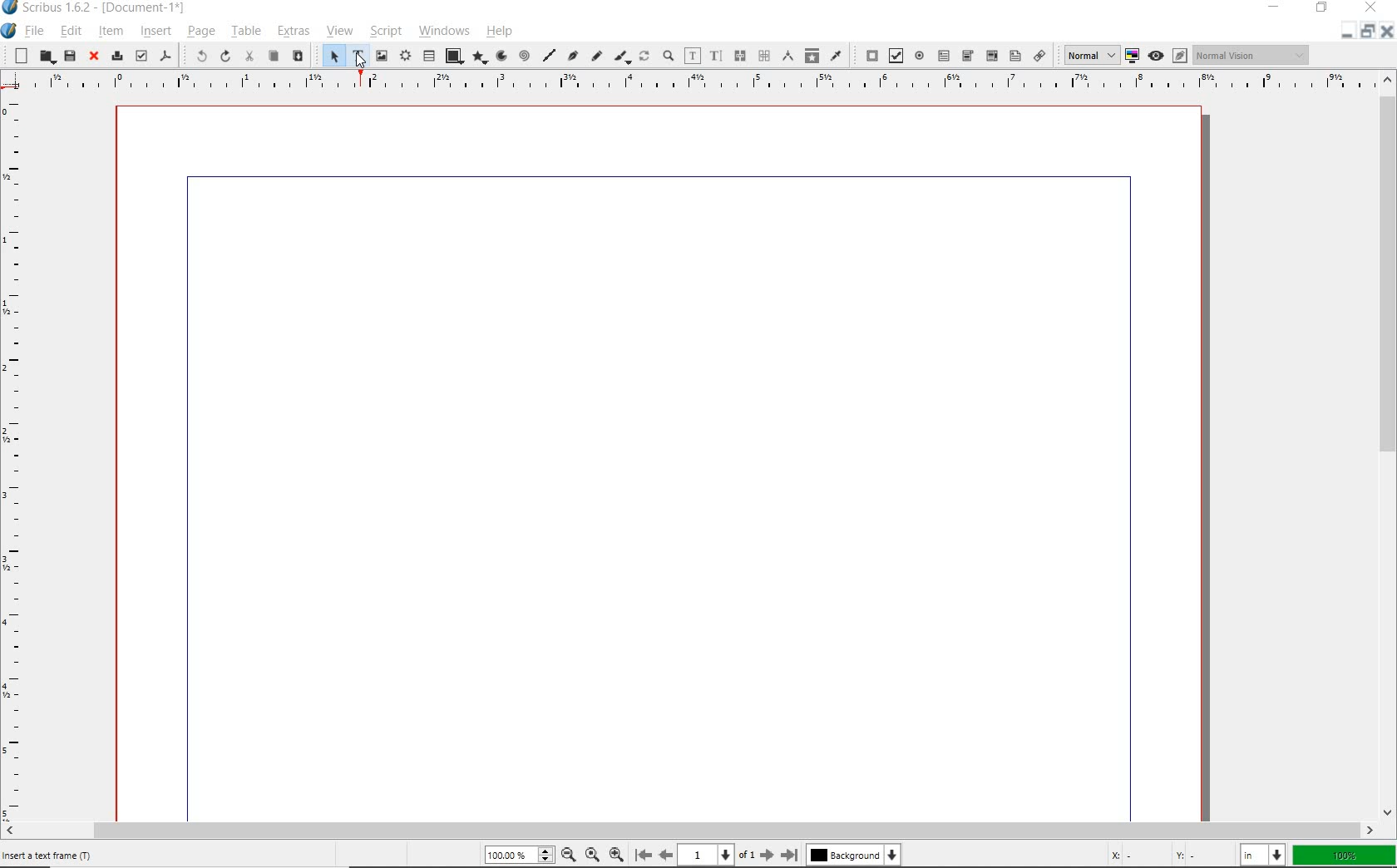 Image resolution: width=1397 pixels, height=868 pixels. What do you see at coordinates (94, 57) in the screenshot?
I see `close` at bounding box center [94, 57].